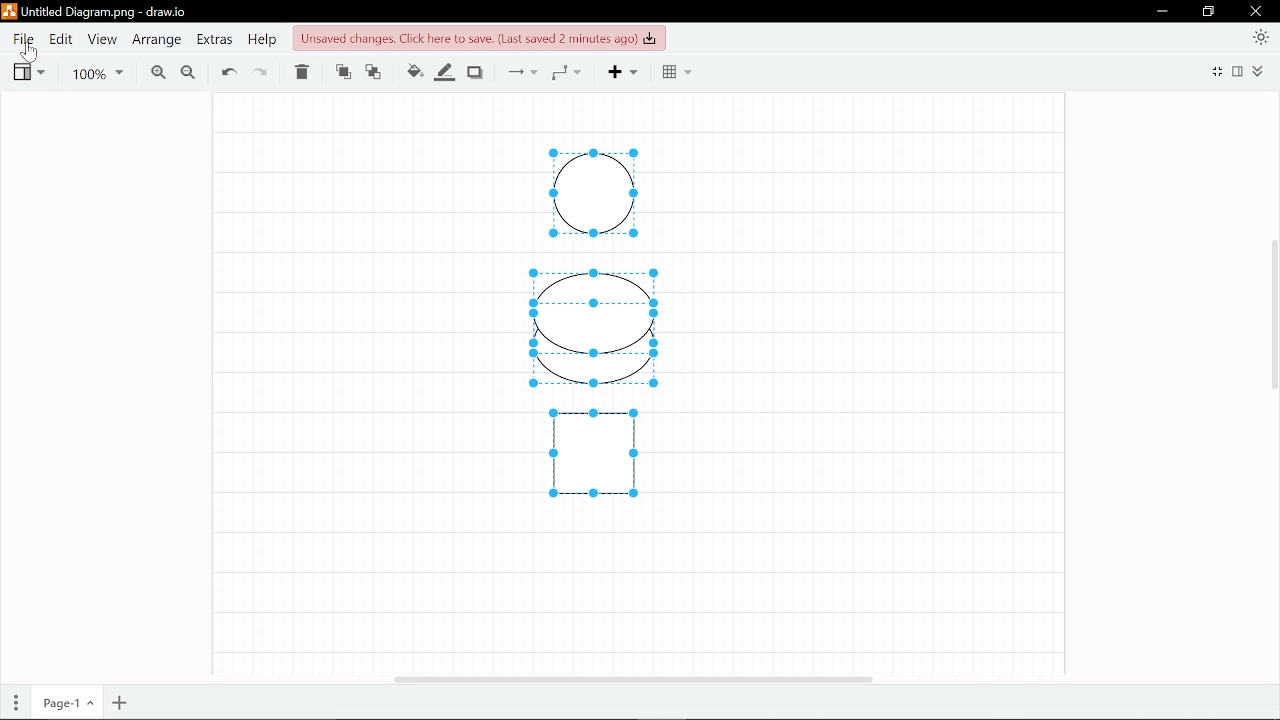 The width and height of the screenshot is (1280, 720). Describe the element at coordinates (229, 73) in the screenshot. I see `Undo` at that location.